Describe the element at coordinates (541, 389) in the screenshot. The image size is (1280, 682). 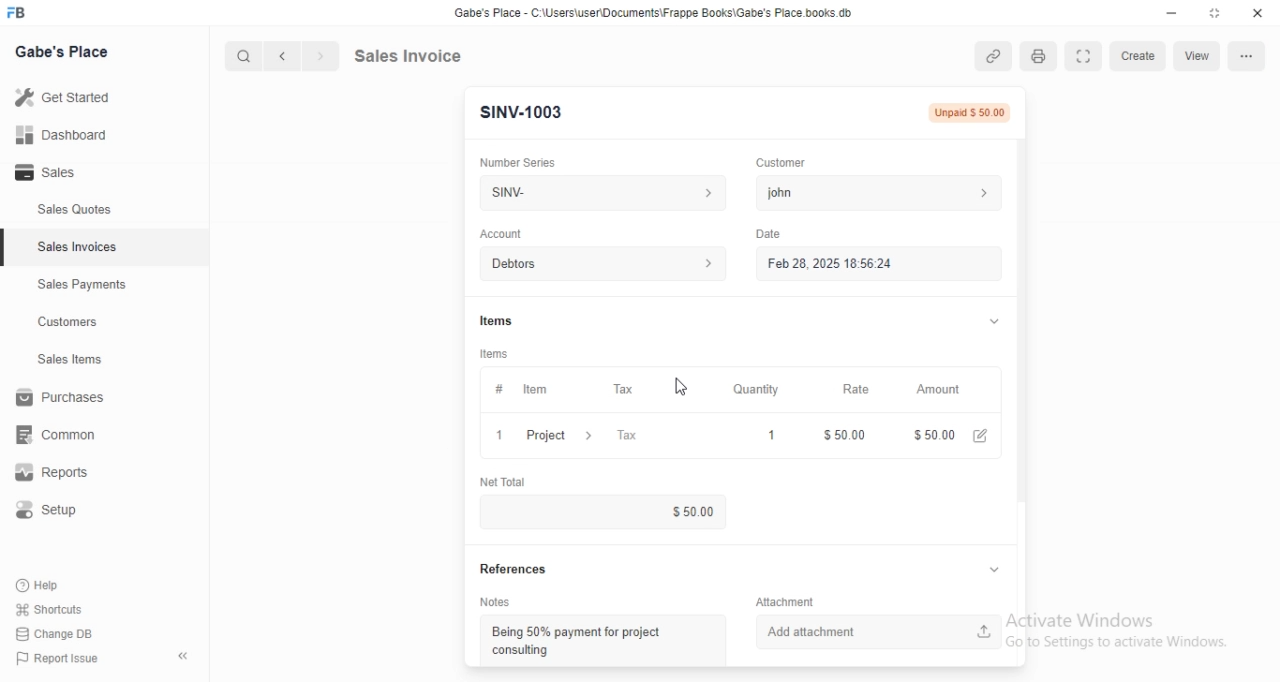
I see `tem` at that location.